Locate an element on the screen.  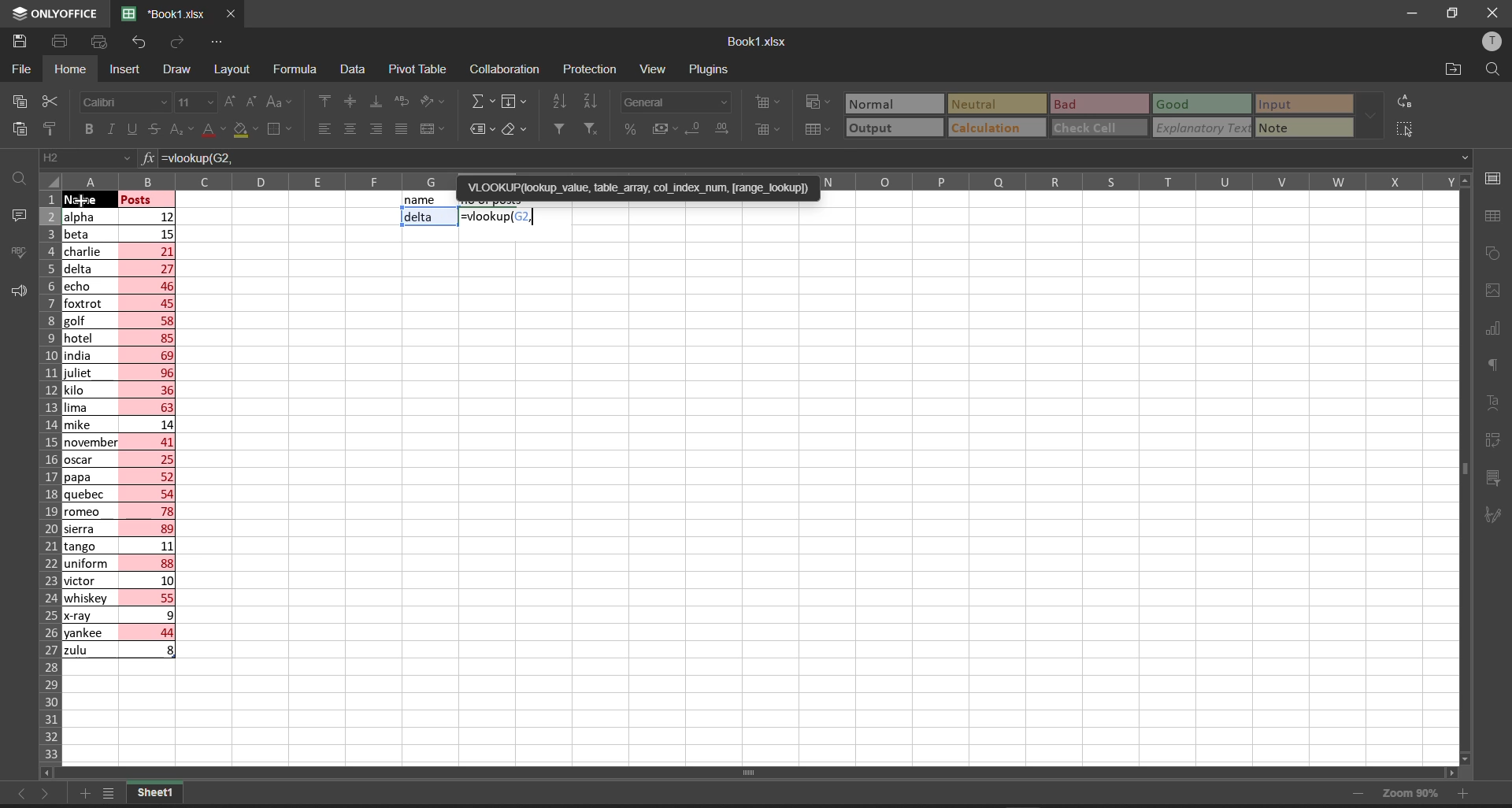
move to the sheet left to the current sheet is located at coordinates (18, 794).